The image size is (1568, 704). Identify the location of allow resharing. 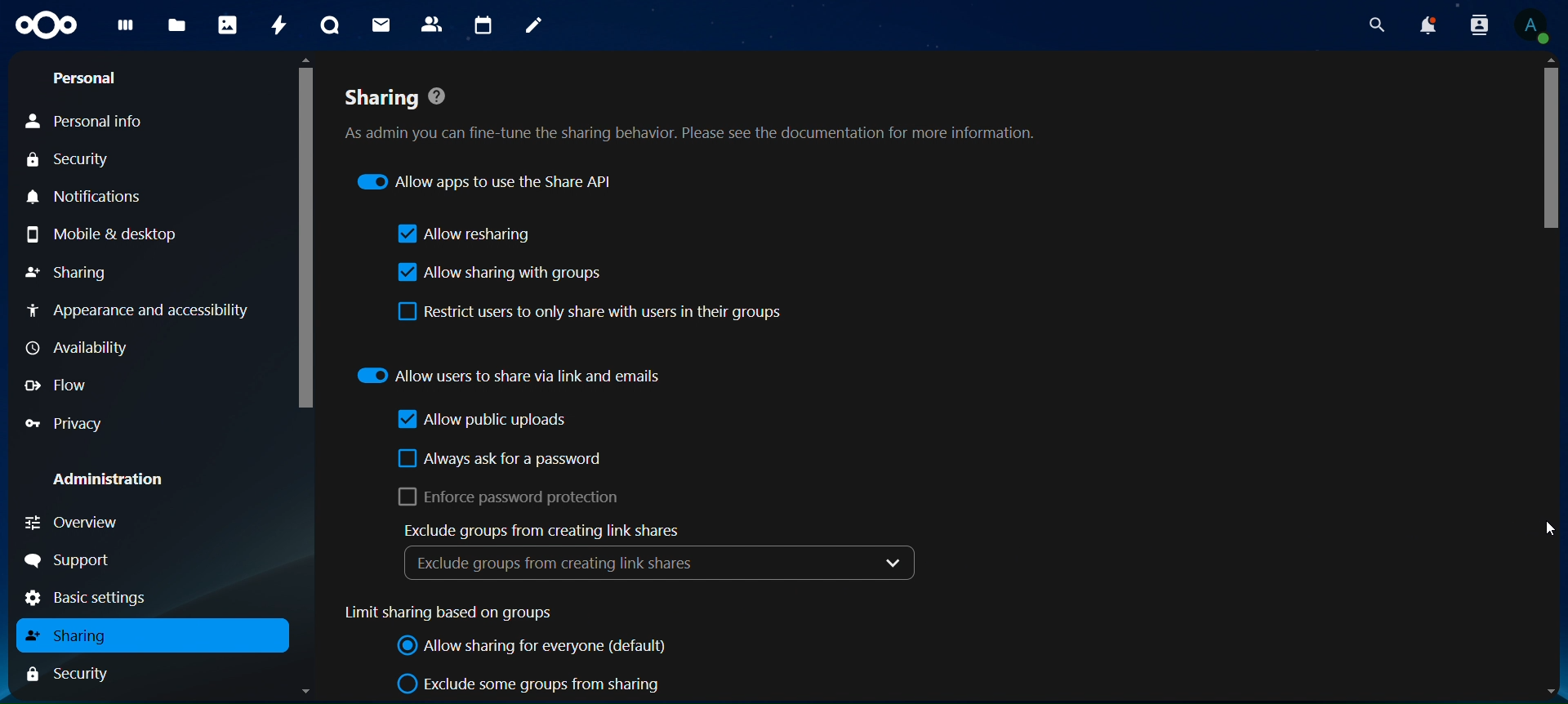
(464, 234).